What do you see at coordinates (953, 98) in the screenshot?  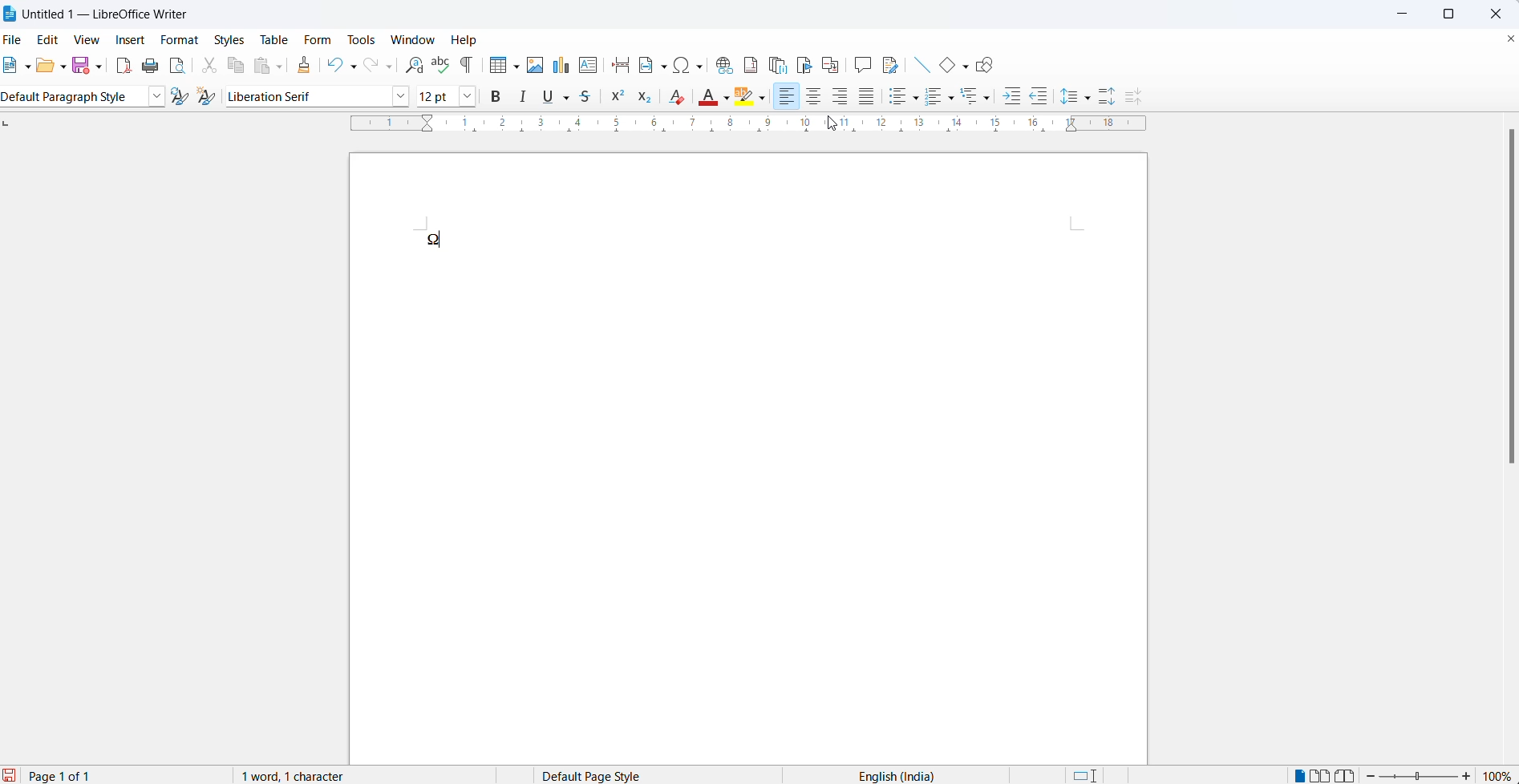 I see `toggle ordered list options` at bounding box center [953, 98].